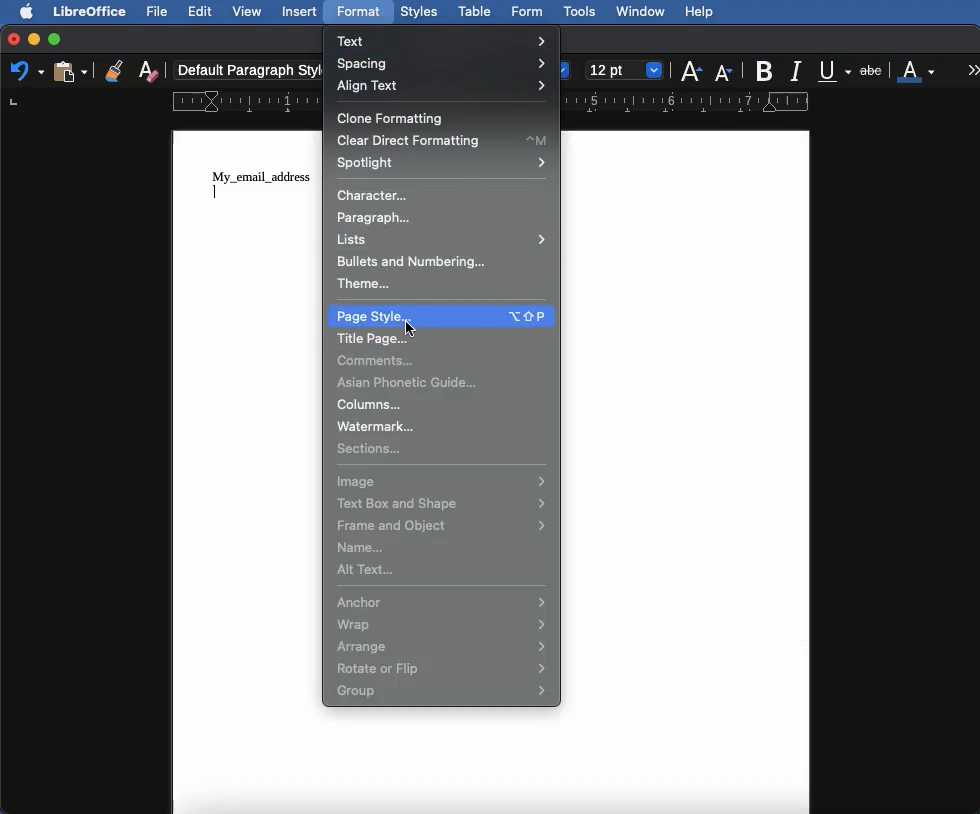 This screenshot has width=980, height=814. Describe the element at coordinates (26, 70) in the screenshot. I see `Undo` at that location.